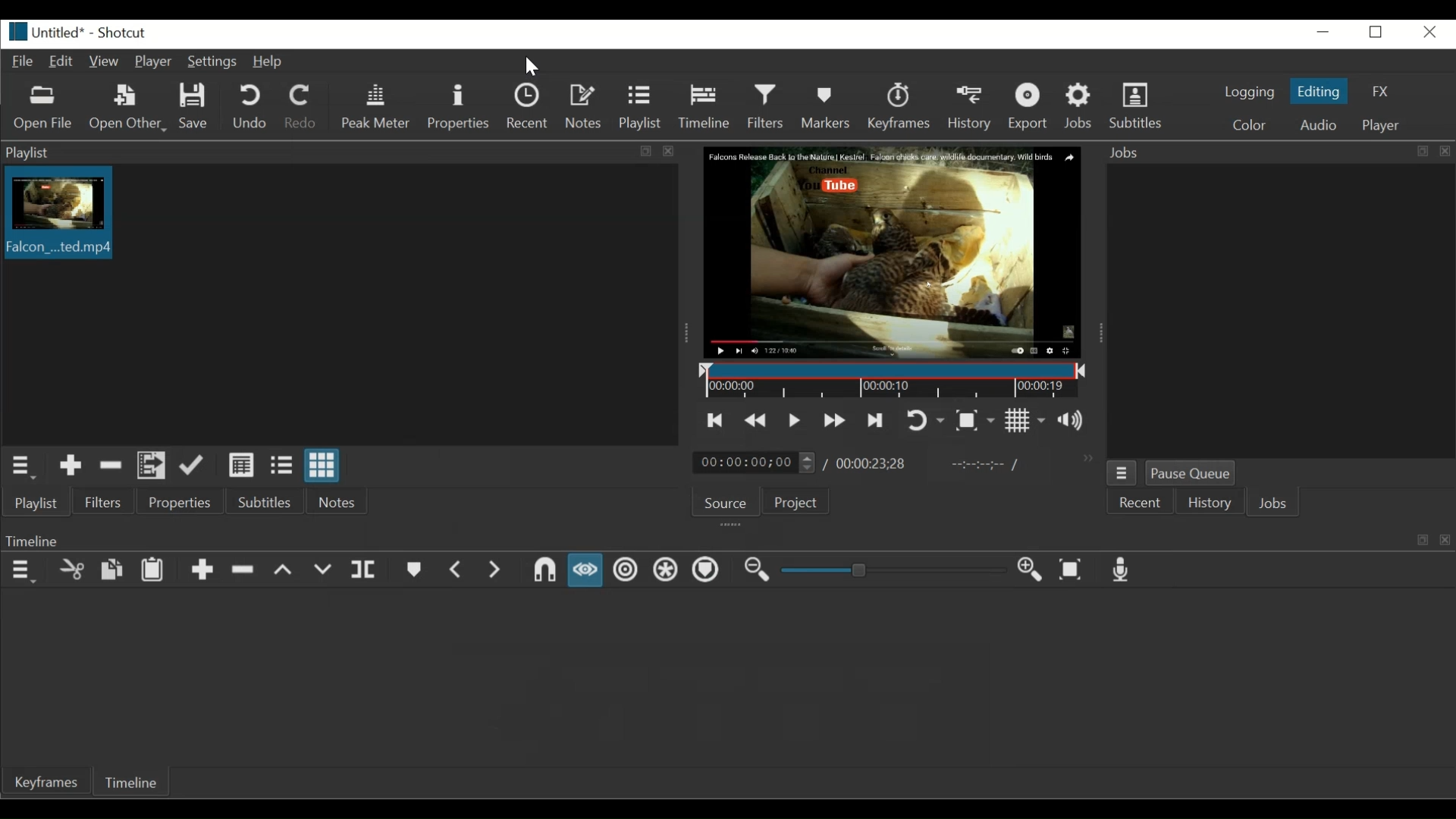  What do you see at coordinates (1430, 33) in the screenshot?
I see `Close` at bounding box center [1430, 33].